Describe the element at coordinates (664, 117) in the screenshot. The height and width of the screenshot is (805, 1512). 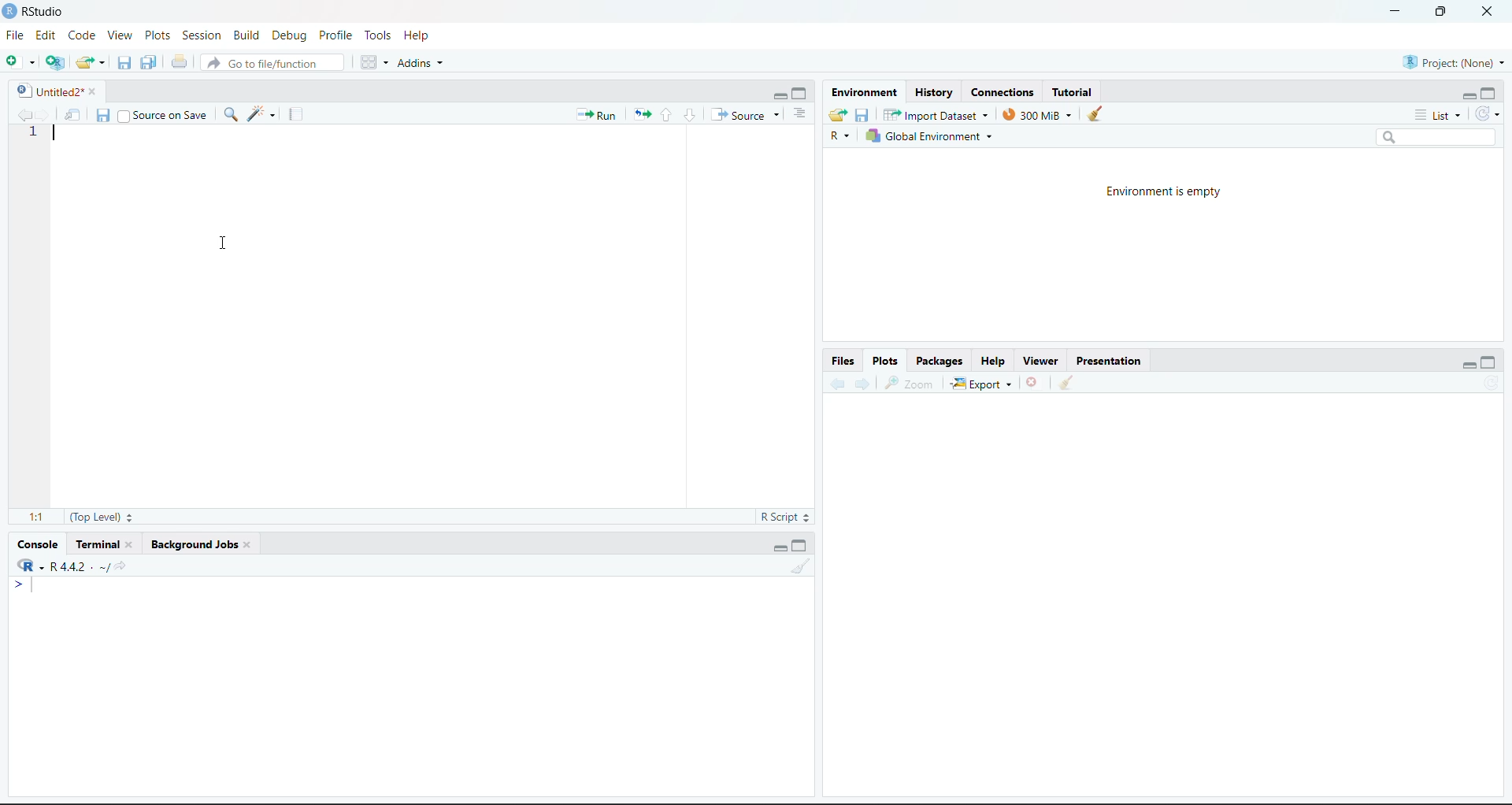
I see `go to next section/chunk` at that location.